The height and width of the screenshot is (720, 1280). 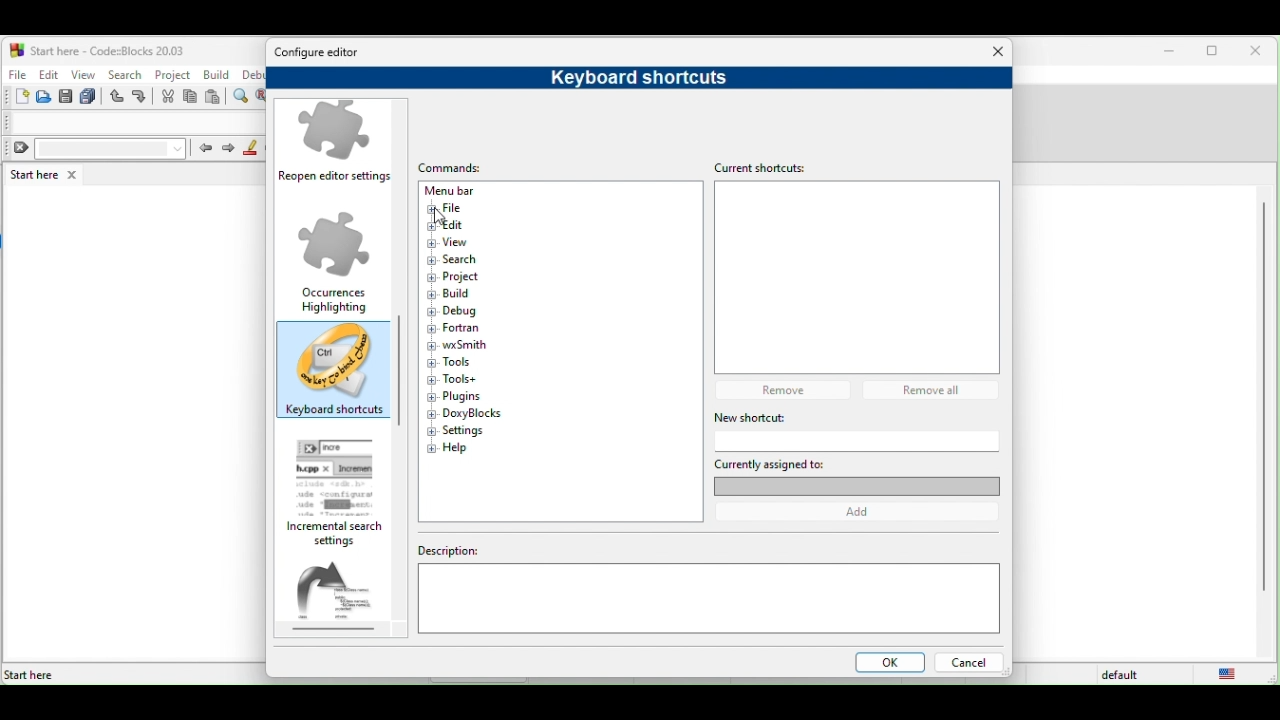 What do you see at coordinates (323, 53) in the screenshot?
I see `configure editor` at bounding box center [323, 53].